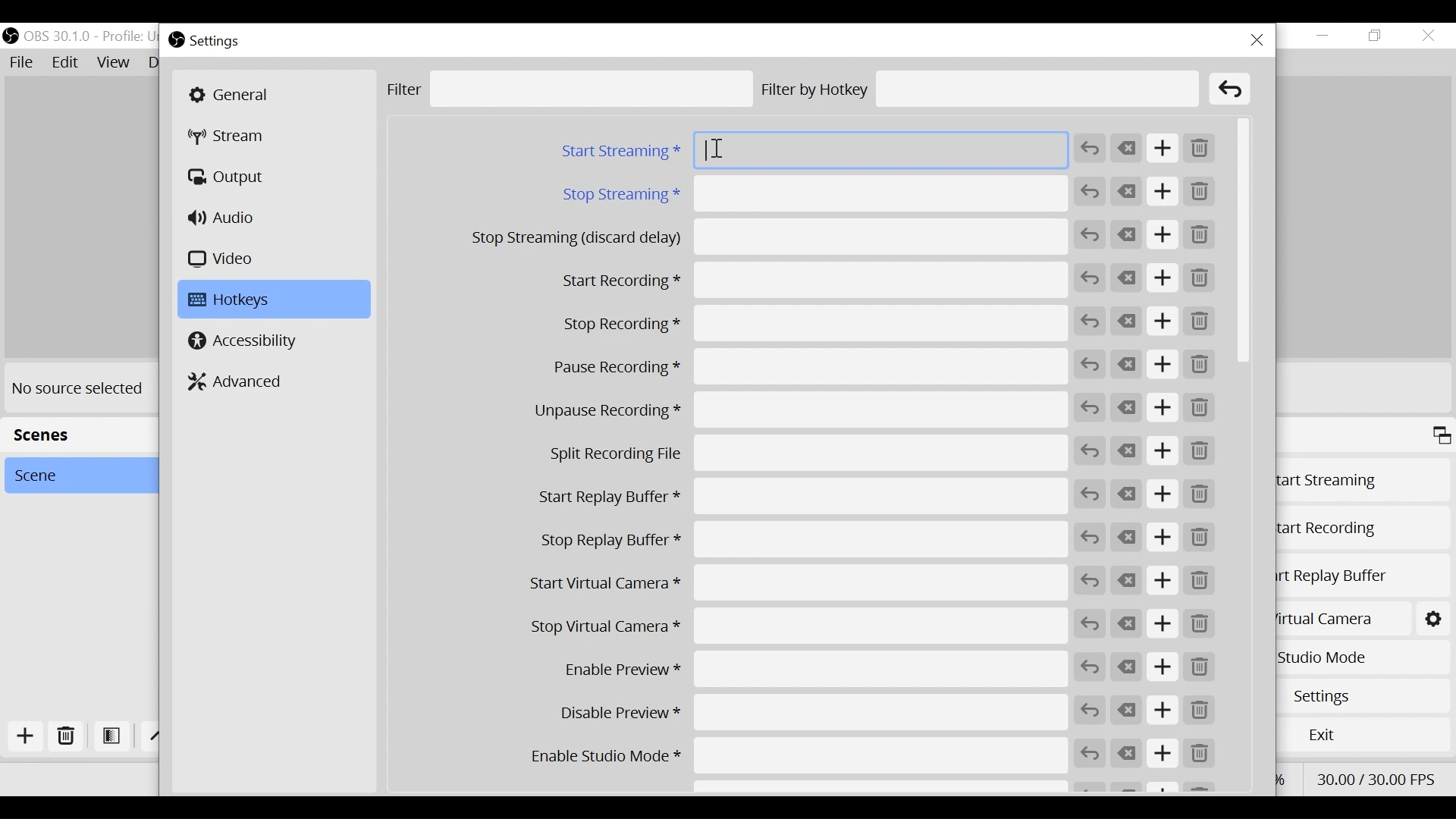  I want to click on Unpause Recording, so click(798, 411).